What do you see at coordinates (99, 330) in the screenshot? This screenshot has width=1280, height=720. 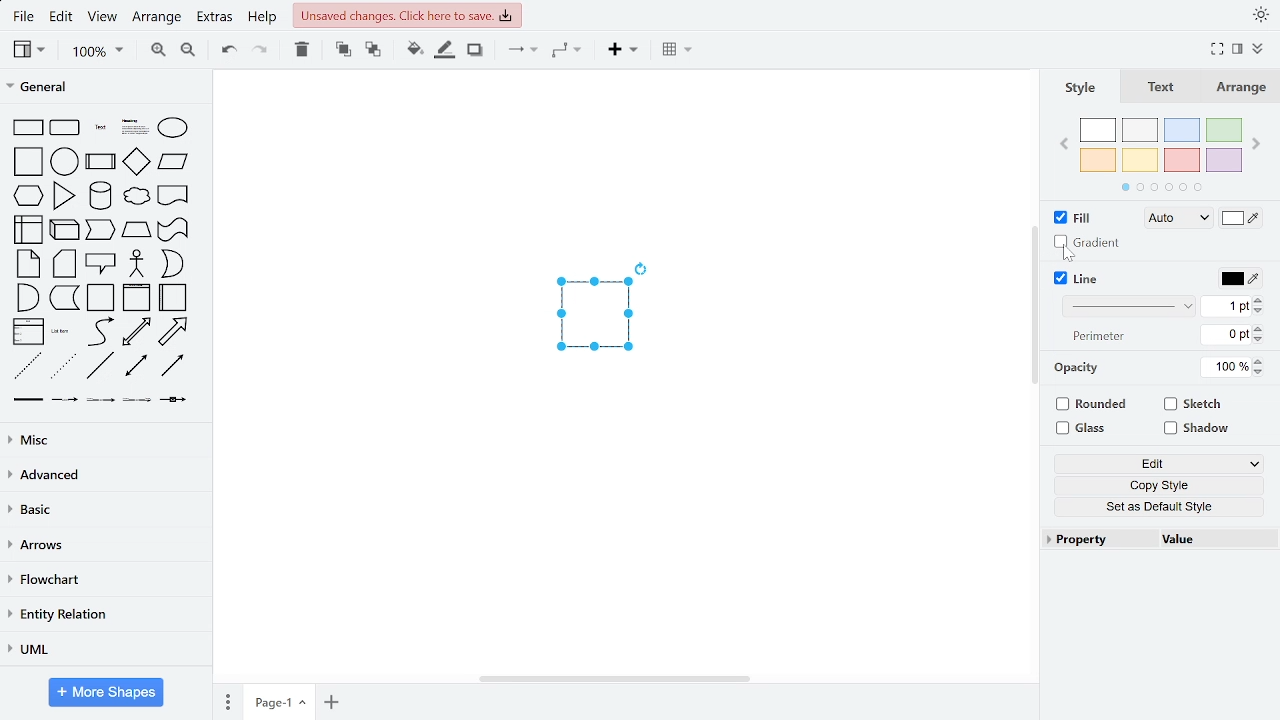 I see `general shapes` at bounding box center [99, 330].